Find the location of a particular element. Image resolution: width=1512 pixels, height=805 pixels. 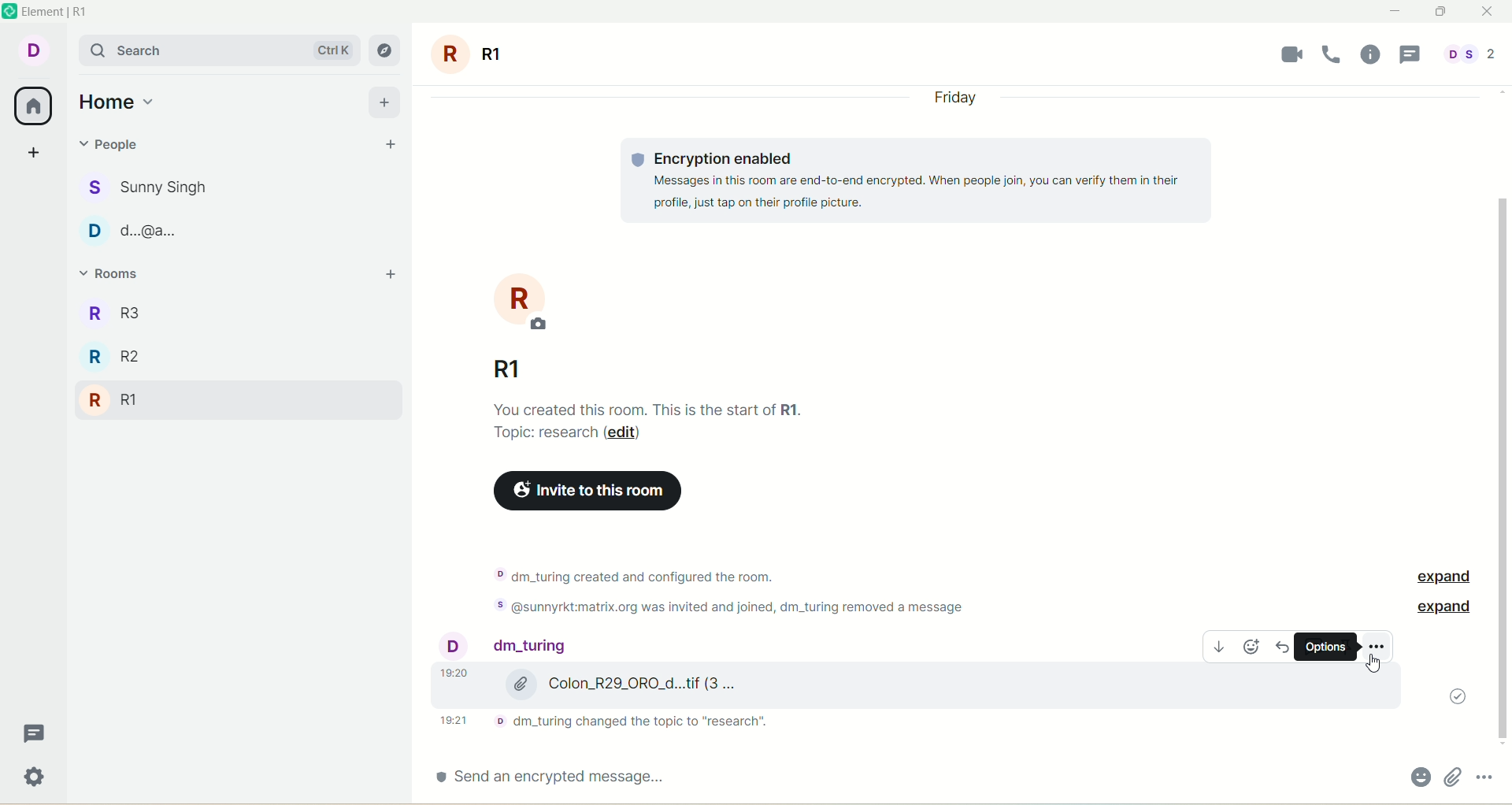

people is located at coordinates (150, 184).